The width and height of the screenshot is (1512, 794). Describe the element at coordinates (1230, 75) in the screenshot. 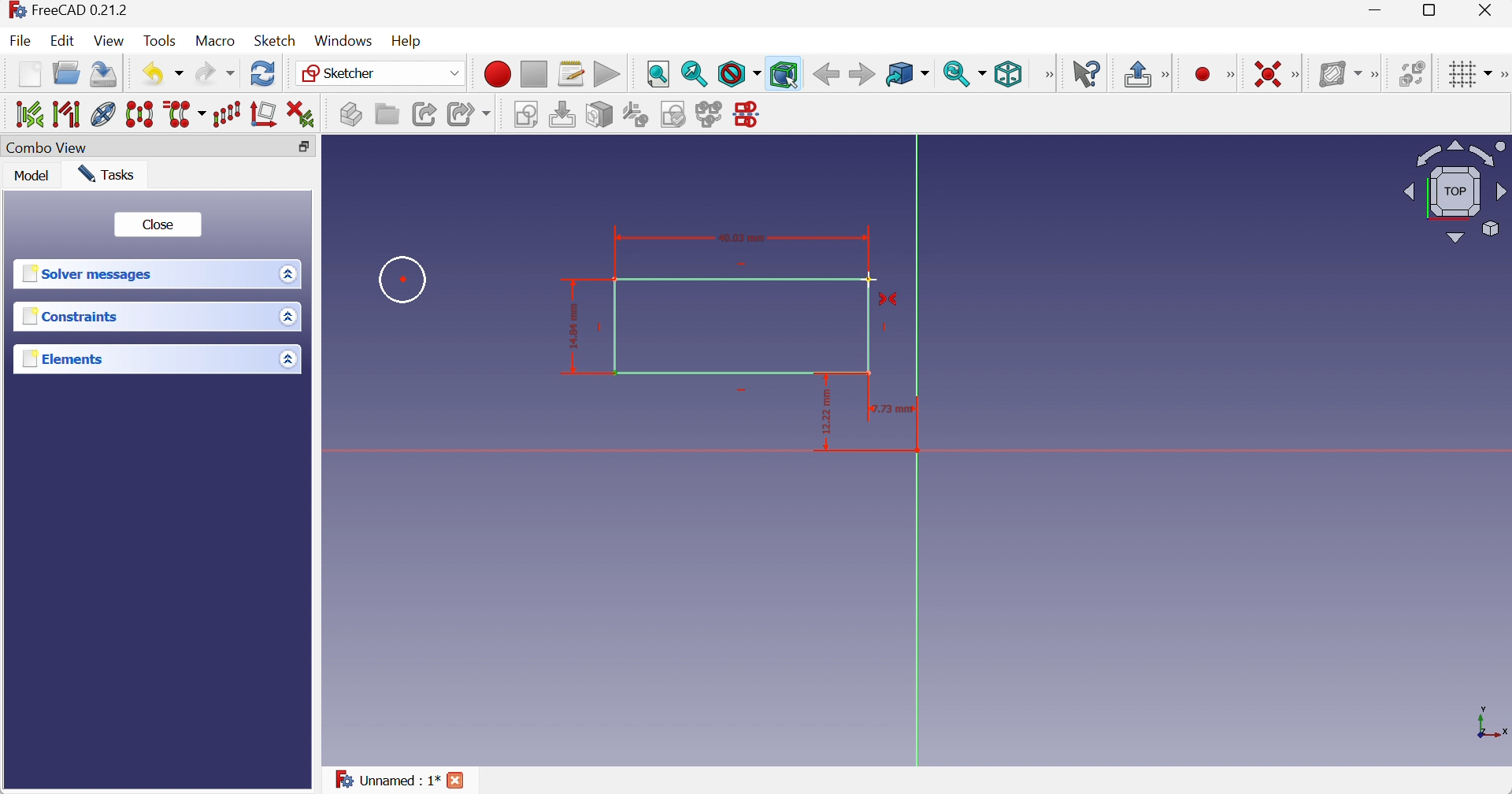

I see `[Sketcher geometries]` at that location.